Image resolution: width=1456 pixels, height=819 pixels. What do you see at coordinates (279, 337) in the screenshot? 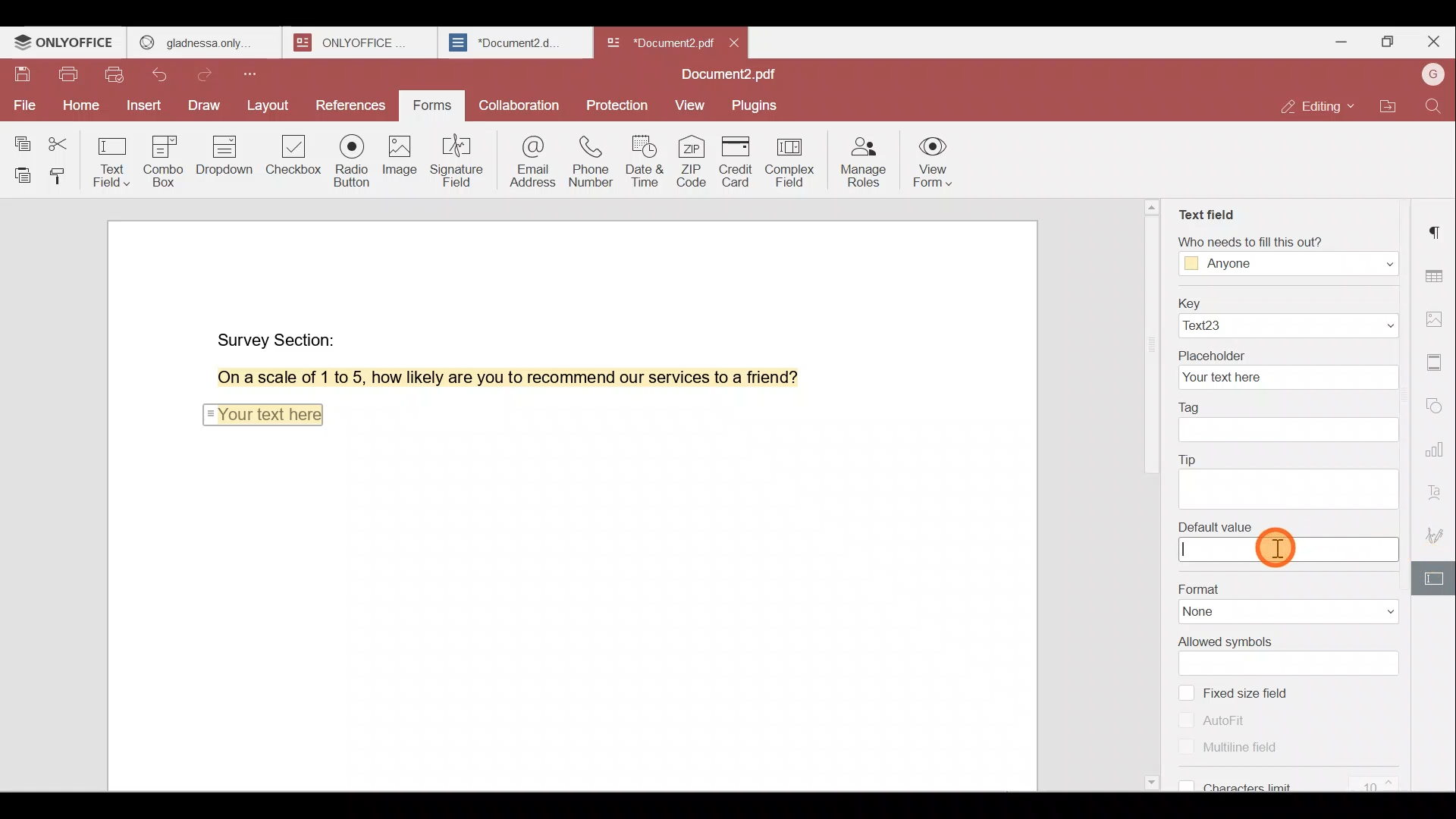
I see `Survey Section:` at bounding box center [279, 337].